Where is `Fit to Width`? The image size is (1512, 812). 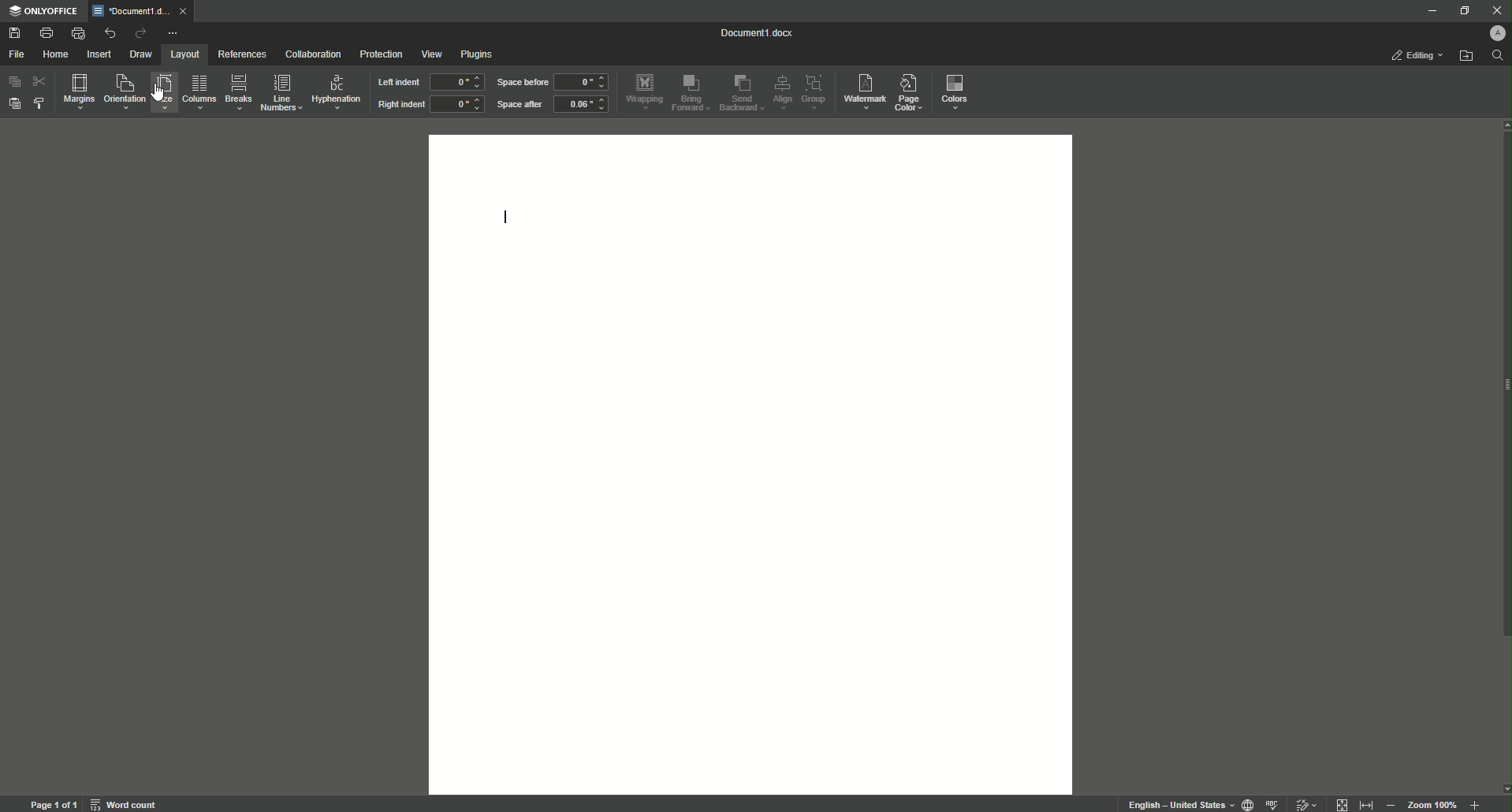
Fit to Width is located at coordinates (1367, 801).